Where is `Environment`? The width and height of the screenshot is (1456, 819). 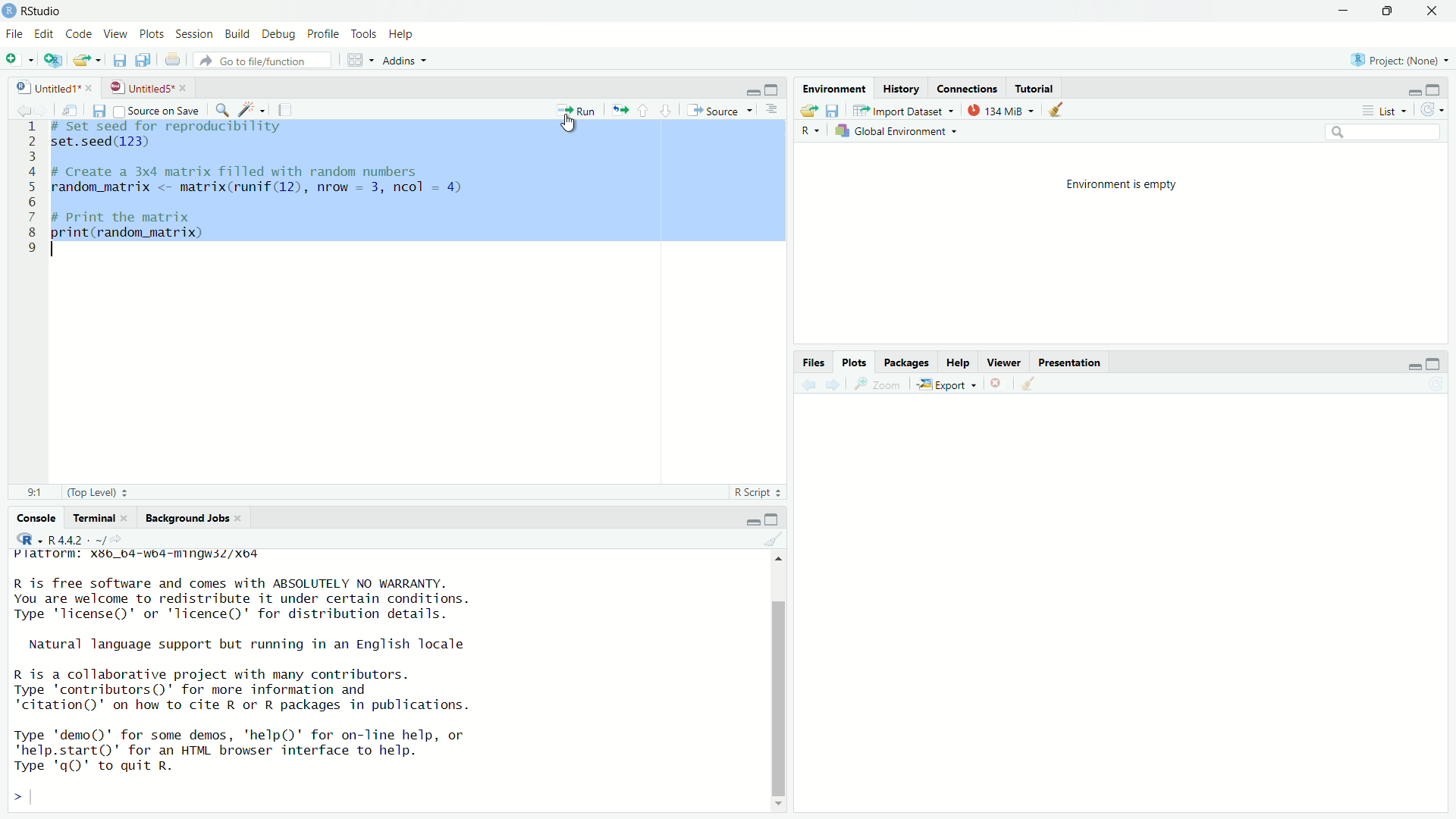 Environment is located at coordinates (834, 88).